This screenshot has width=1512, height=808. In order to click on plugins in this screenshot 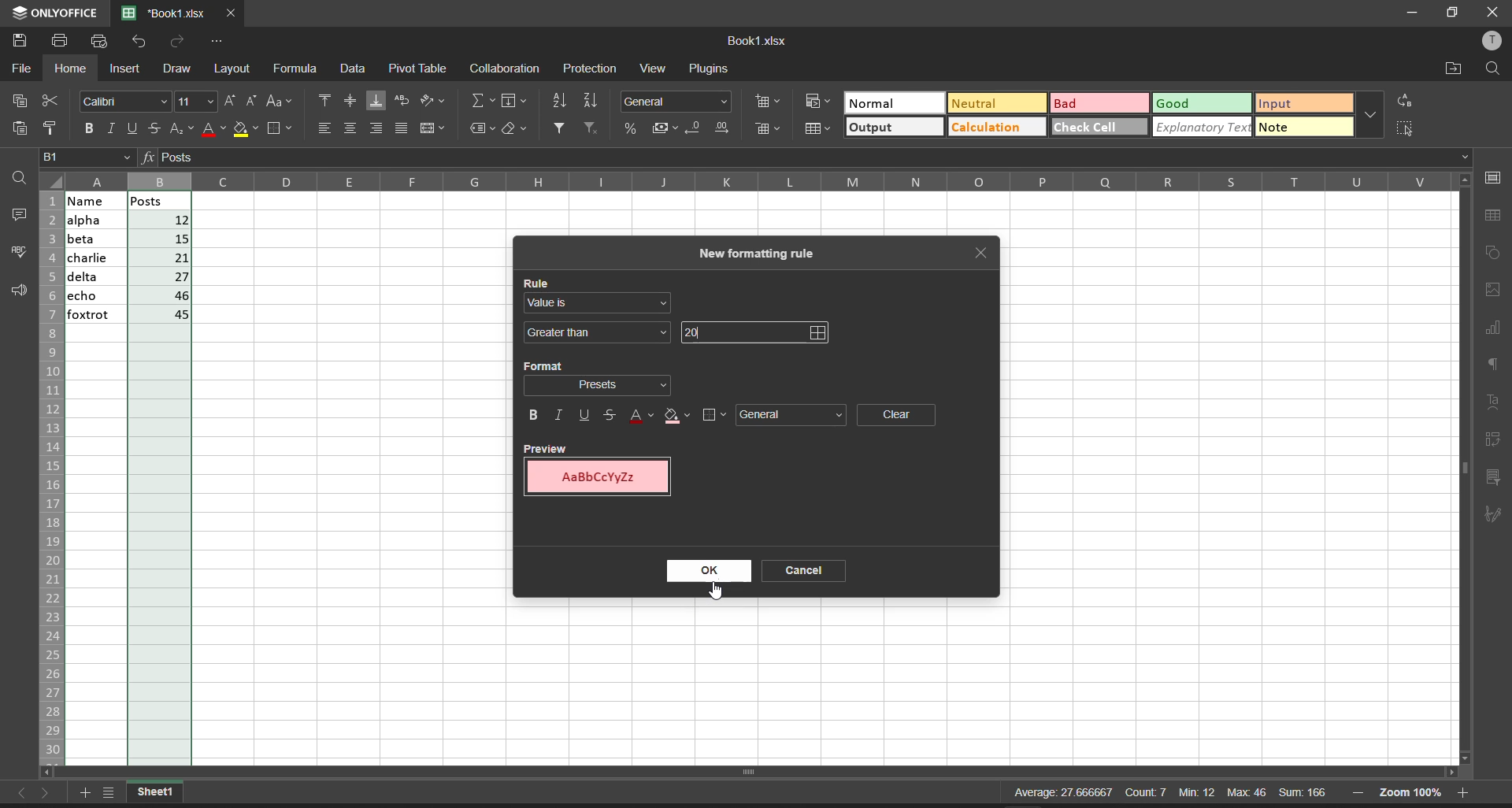, I will do `click(710, 69)`.